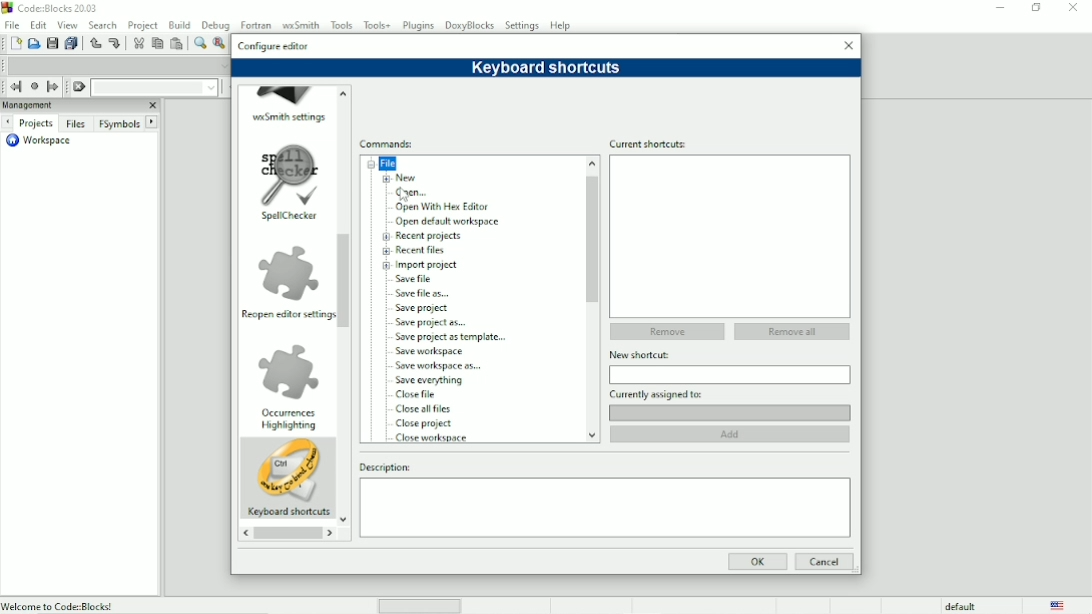 This screenshot has width=1092, height=614. What do you see at coordinates (287, 535) in the screenshot?
I see `Horizontal scrollbar` at bounding box center [287, 535].